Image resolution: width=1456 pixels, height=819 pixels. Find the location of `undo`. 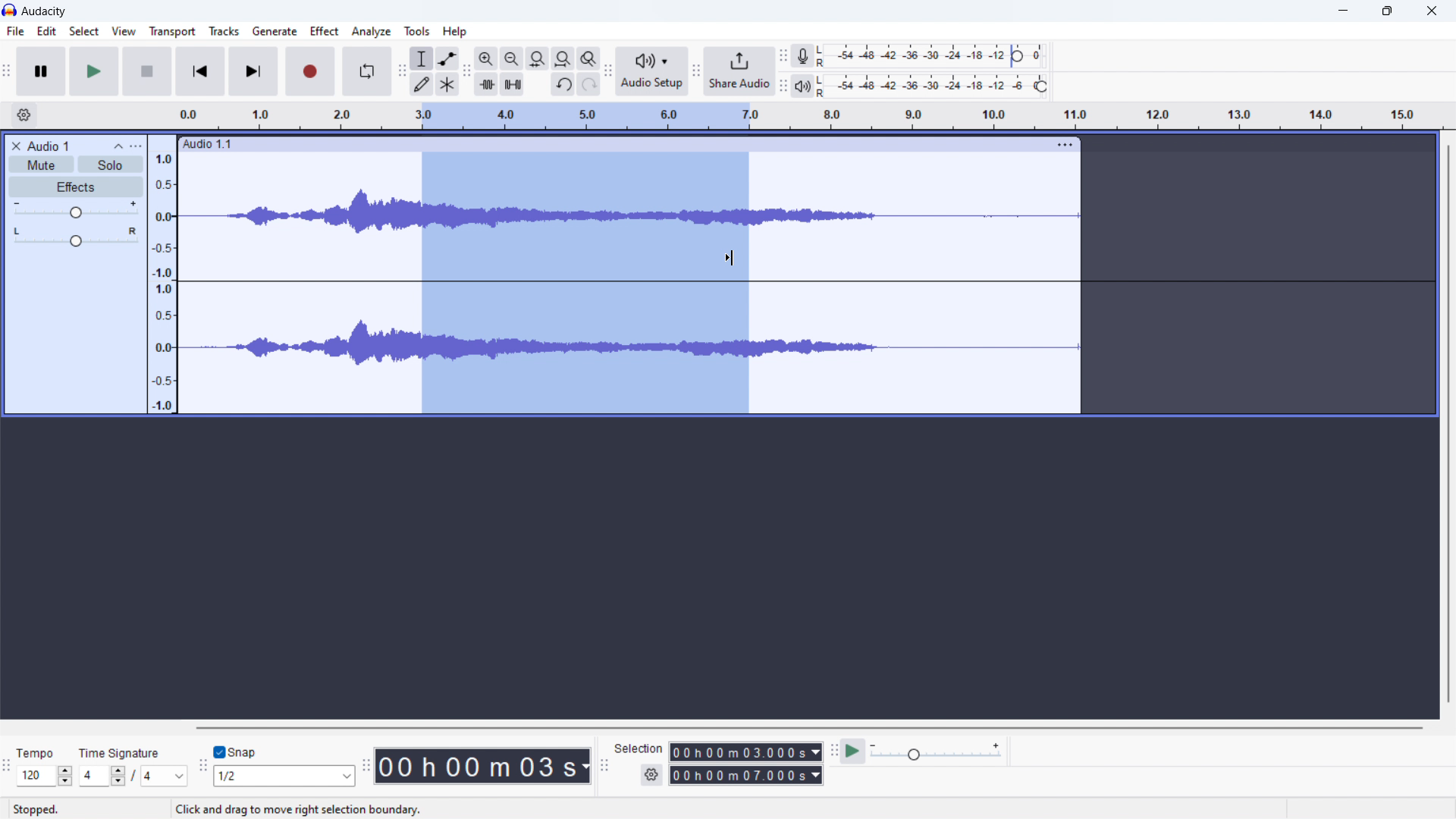

undo is located at coordinates (563, 83).